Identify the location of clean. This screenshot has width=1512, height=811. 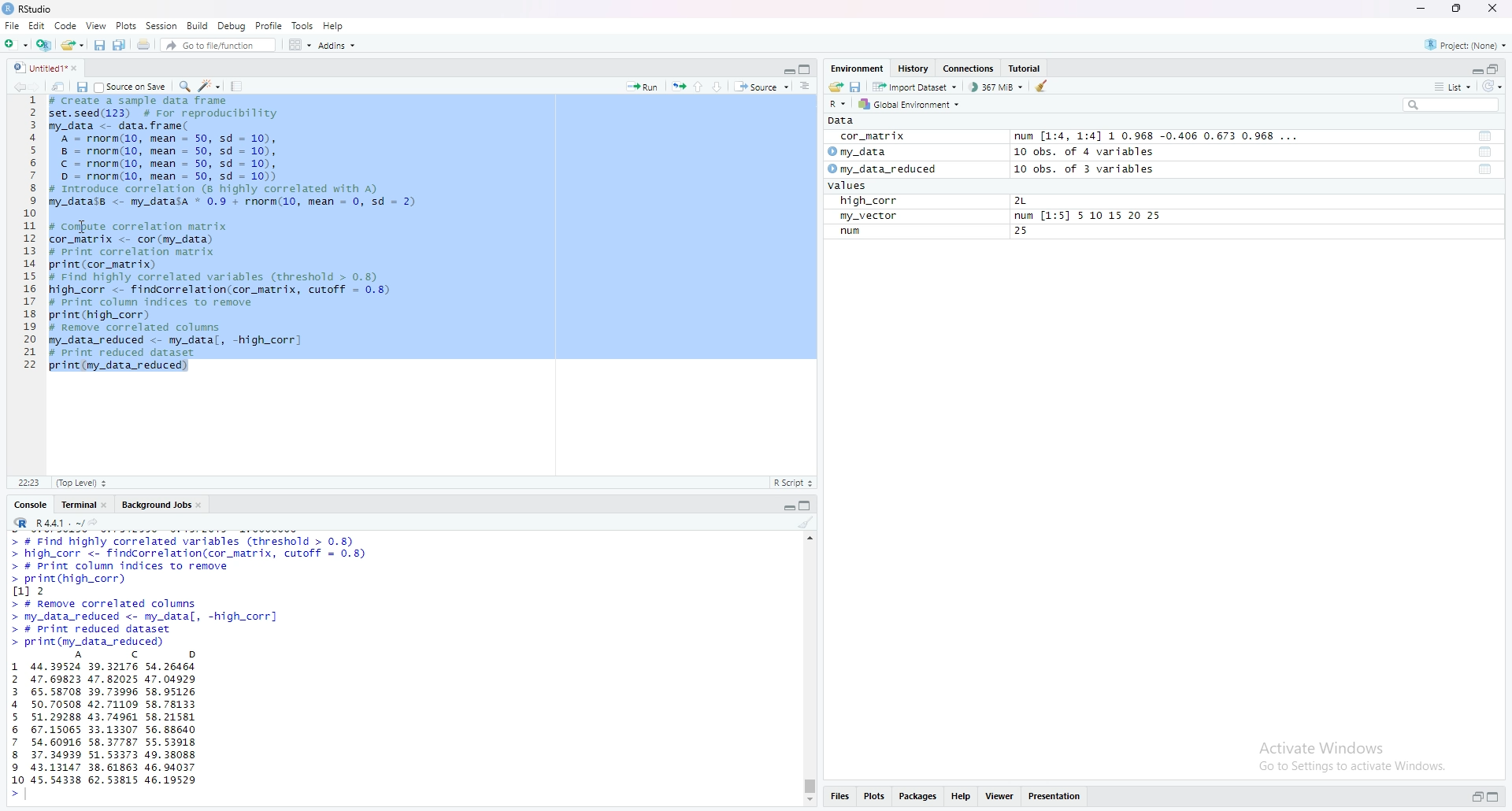
(1043, 86).